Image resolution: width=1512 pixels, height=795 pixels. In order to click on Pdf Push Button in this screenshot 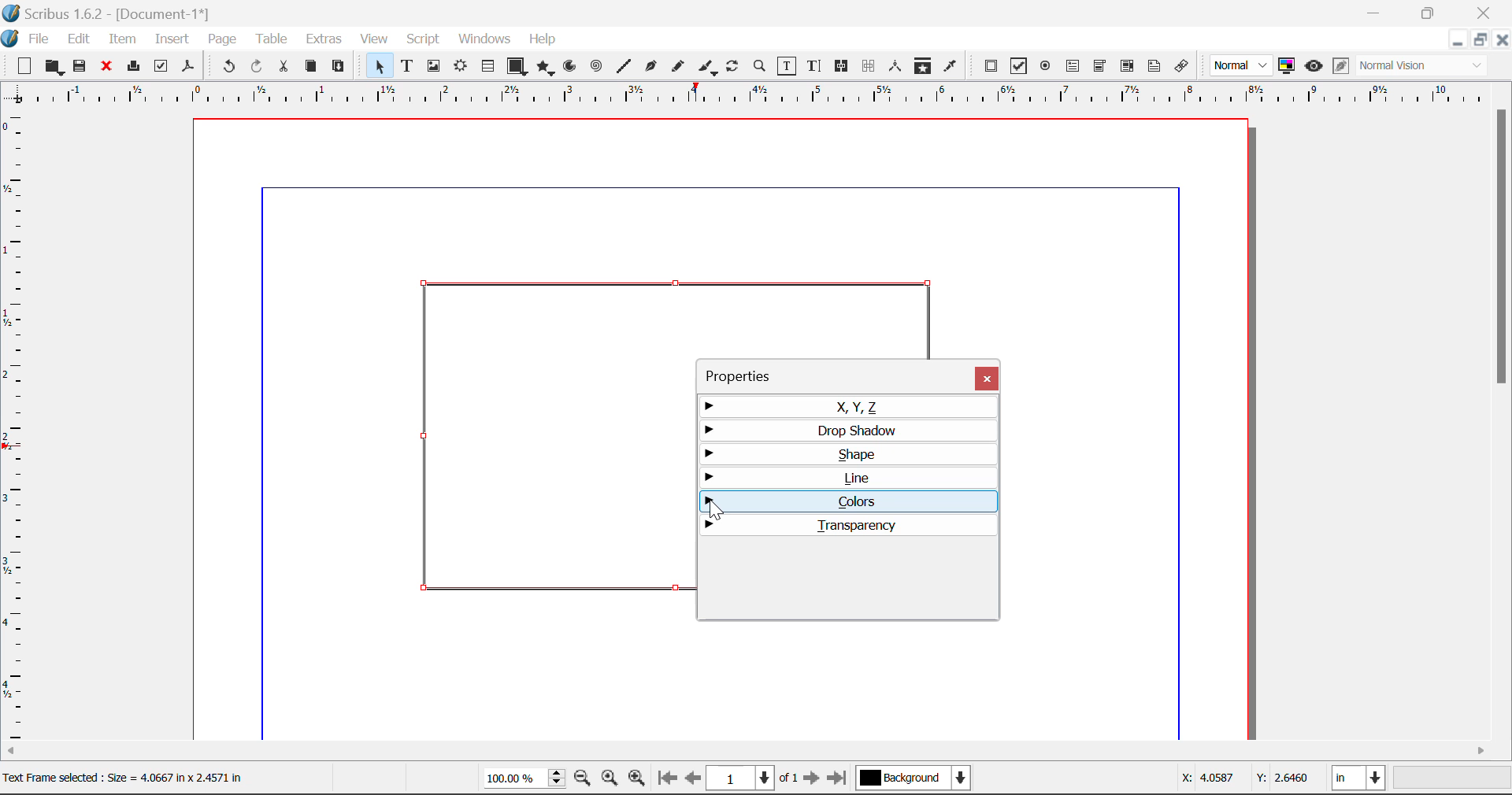, I will do `click(991, 65)`.